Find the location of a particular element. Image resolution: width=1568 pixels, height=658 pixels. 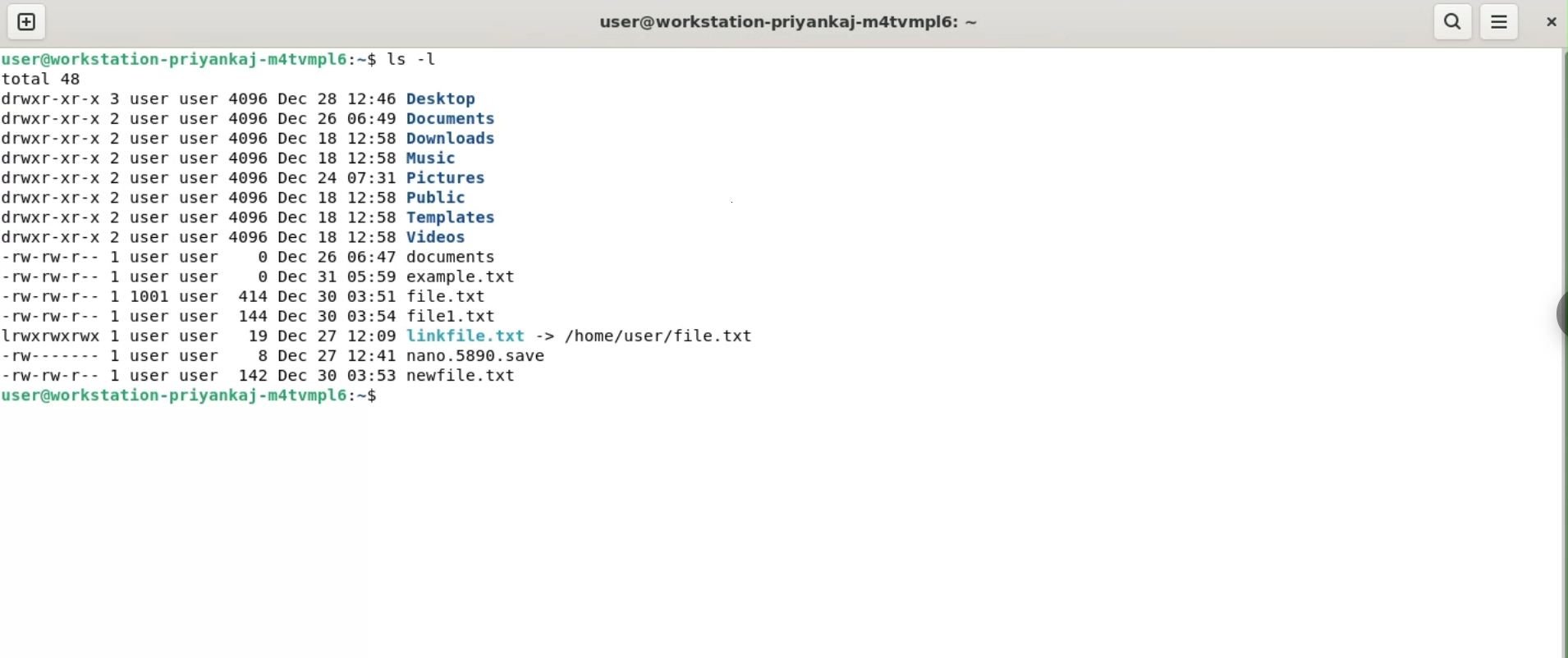

menu is located at coordinates (1499, 21).